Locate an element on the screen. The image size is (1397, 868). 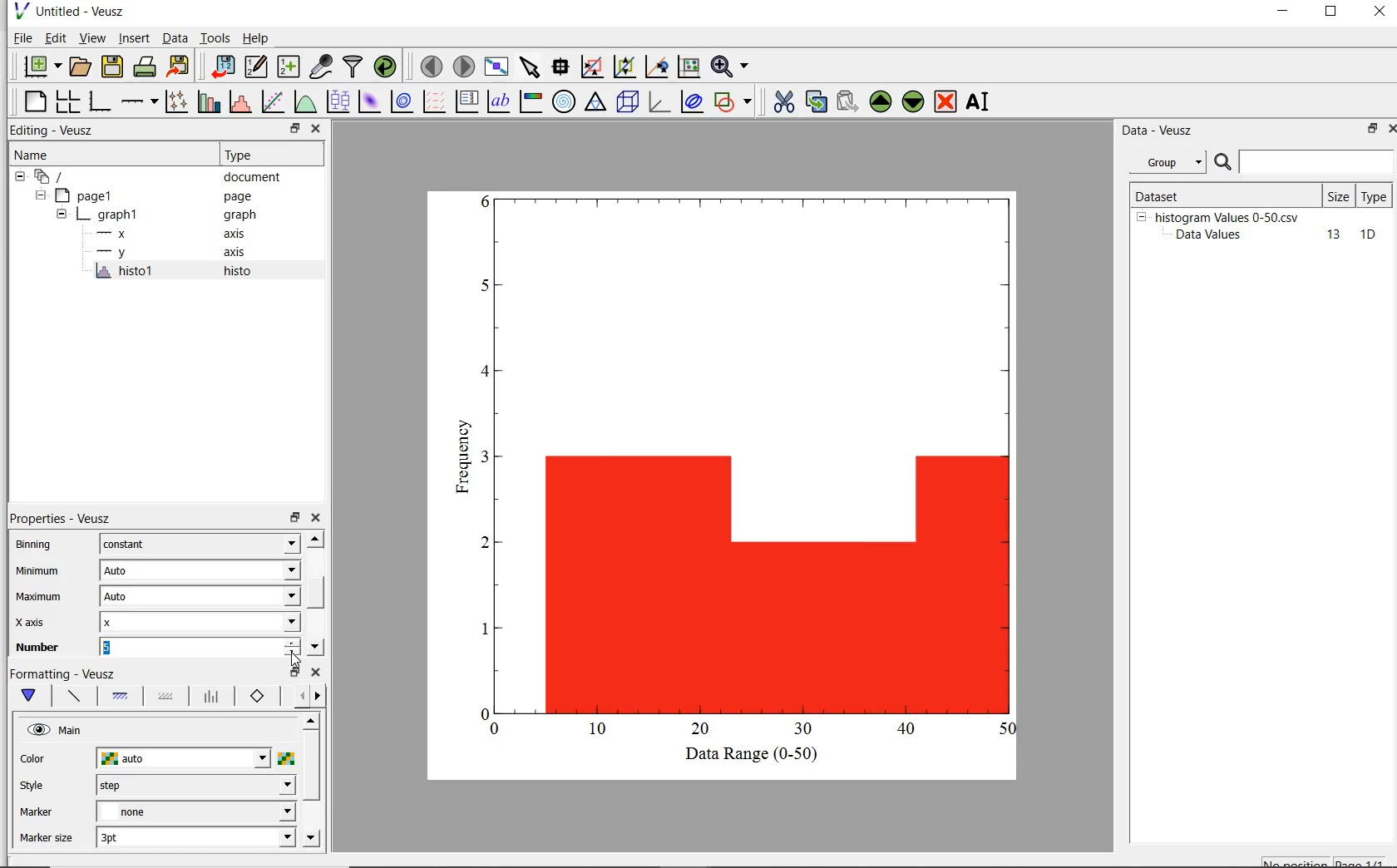
read data points on the graph is located at coordinates (562, 67).